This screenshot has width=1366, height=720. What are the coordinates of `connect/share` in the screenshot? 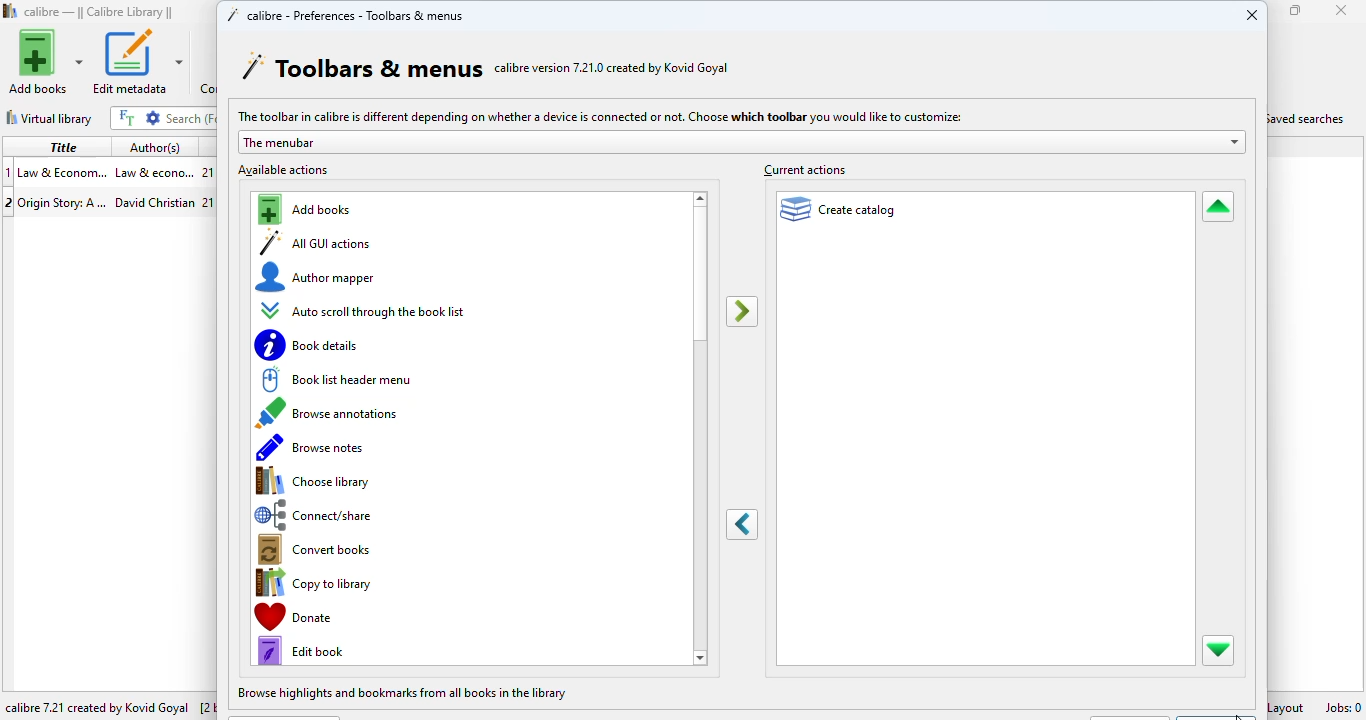 It's located at (320, 515).